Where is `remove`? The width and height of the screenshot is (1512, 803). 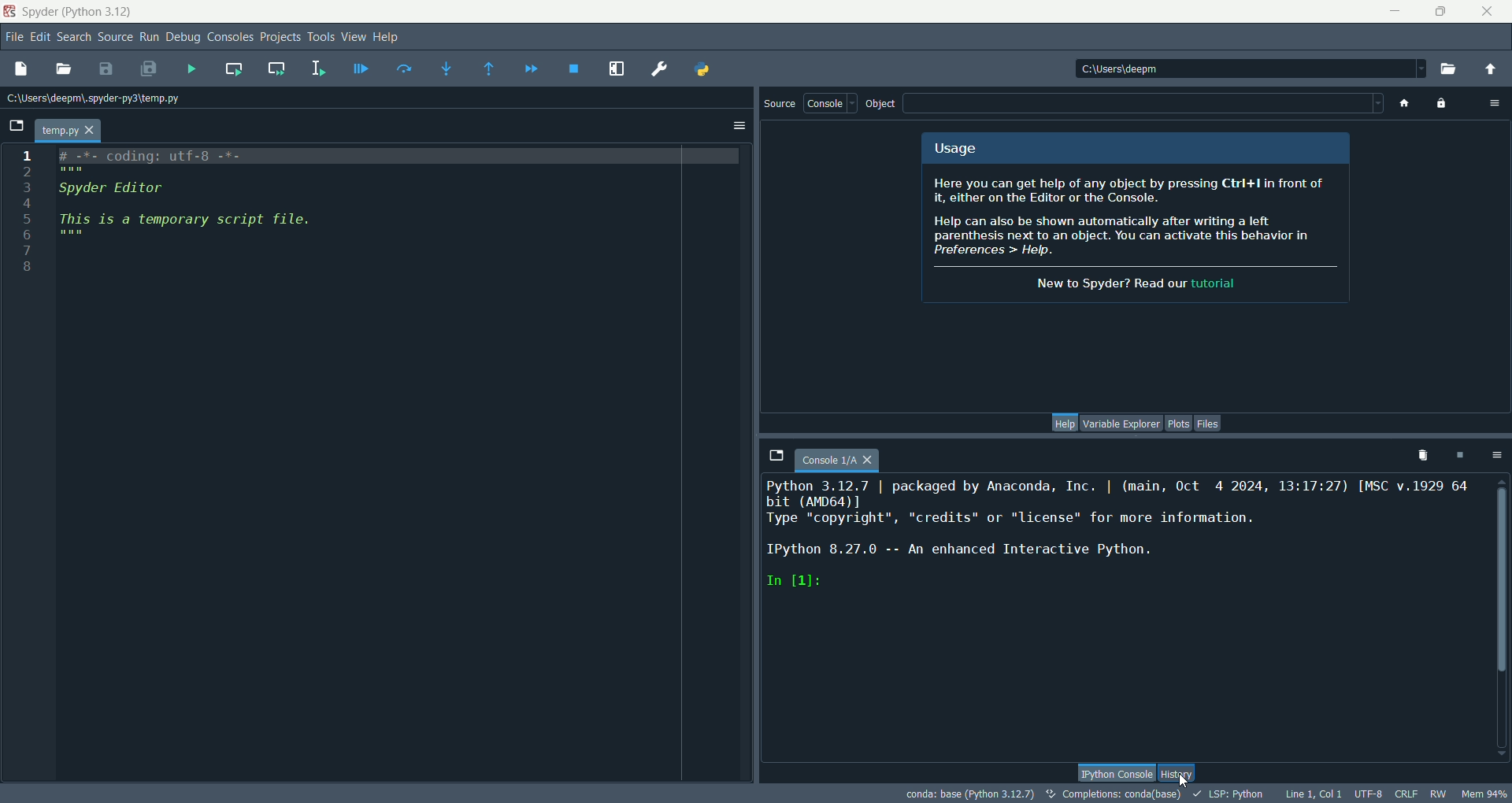 remove is located at coordinates (1421, 456).